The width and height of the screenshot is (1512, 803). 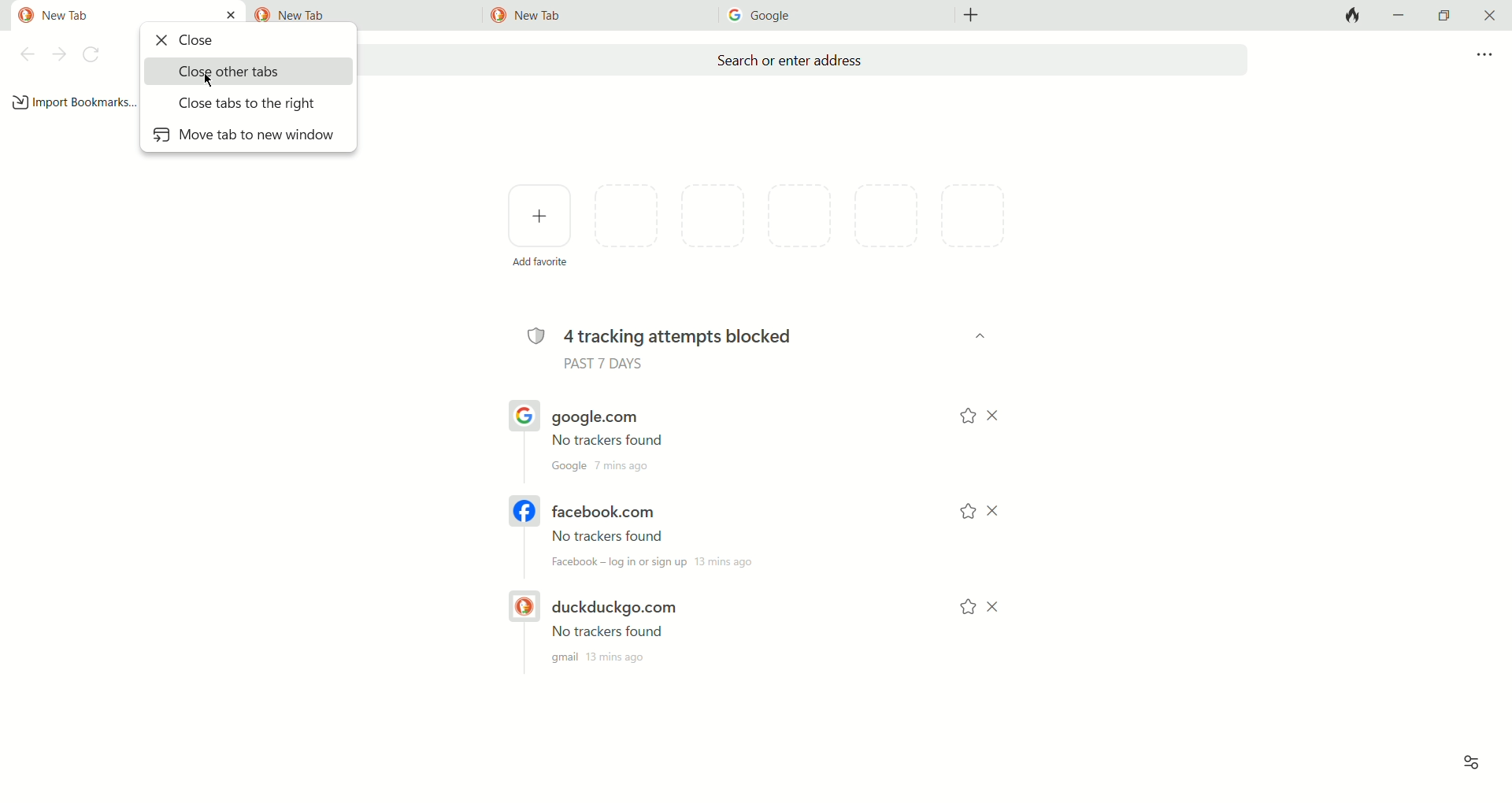 What do you see at coordinates (247, 136) in the screenshot?
I see `move tab to new window` at bounding box center [247, 136].